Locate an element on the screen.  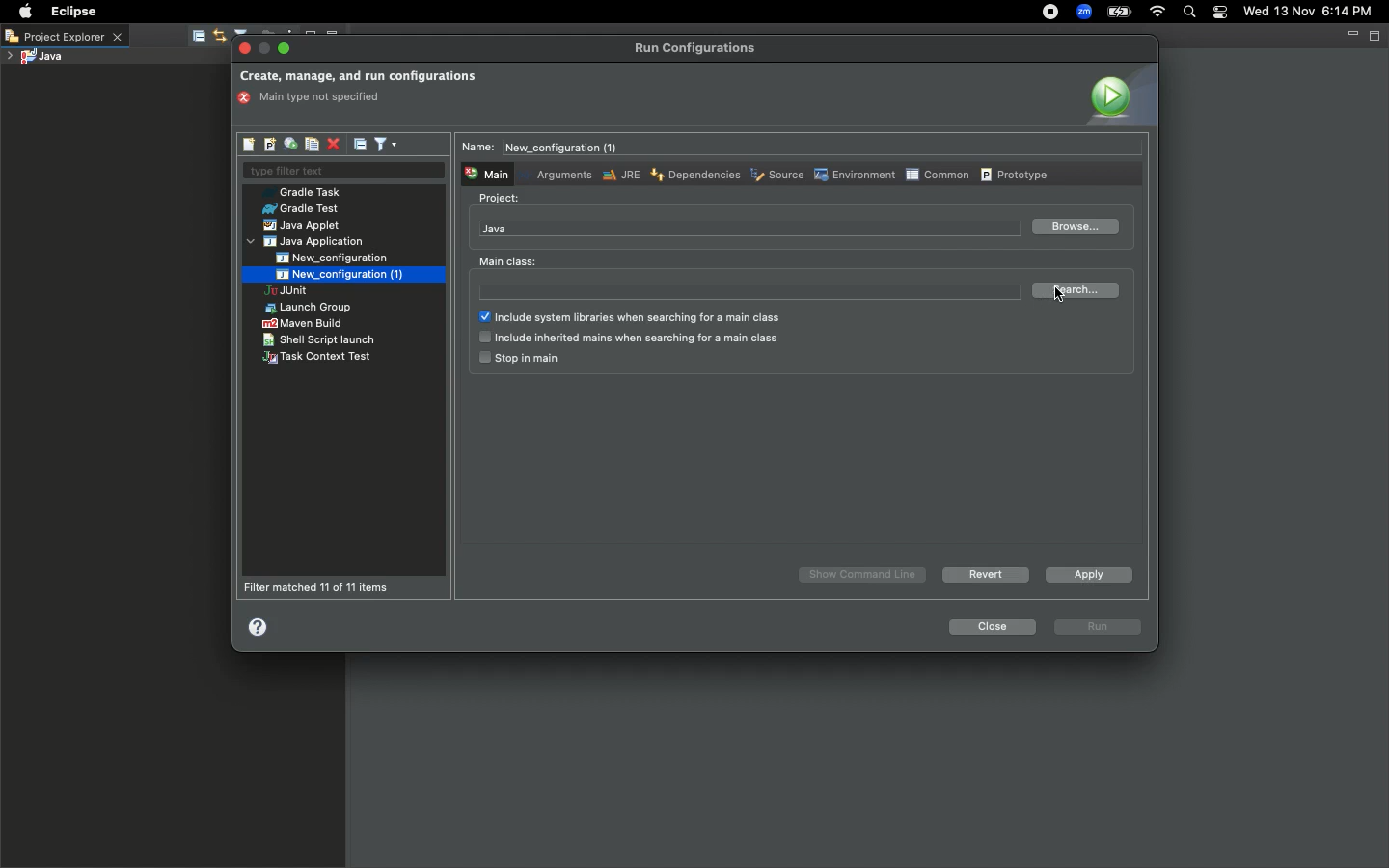
Prototype is located at coordinates (1017, 174).